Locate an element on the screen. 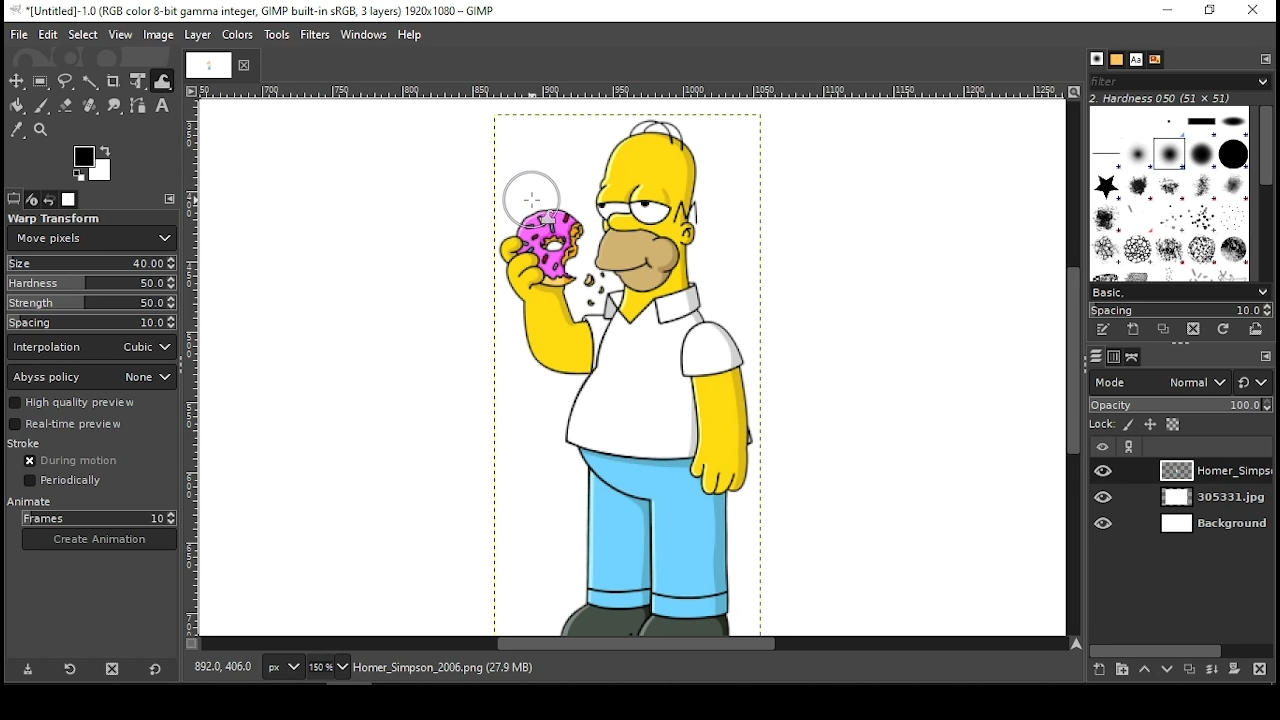 The image size is (1280, 720). create a new layer group is located at coordinates (1124, 671).